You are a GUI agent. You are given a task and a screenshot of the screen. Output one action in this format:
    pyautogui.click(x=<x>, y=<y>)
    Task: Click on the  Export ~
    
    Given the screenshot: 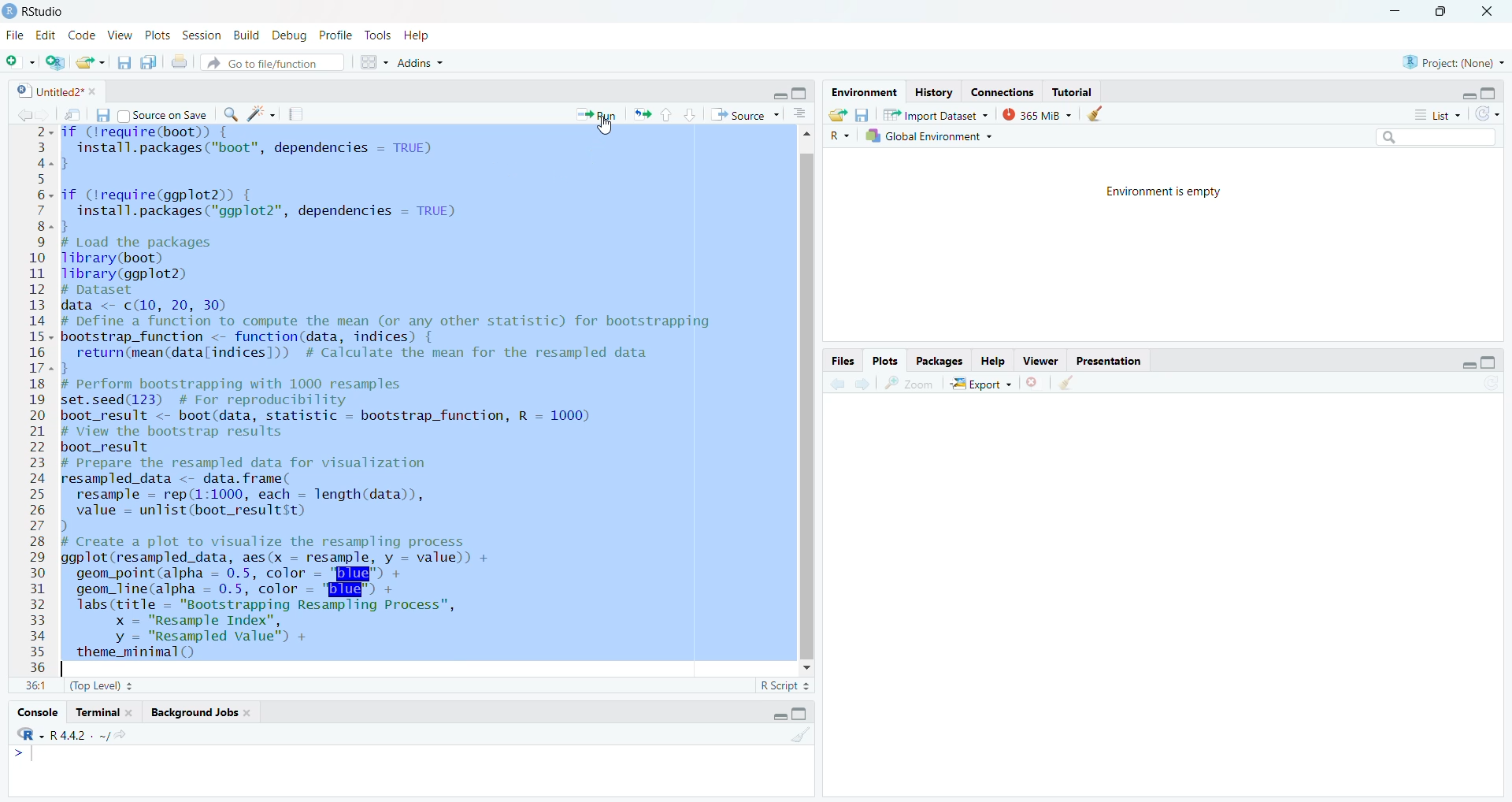 What is the action you would take?
    pyautogui.click(x=982, y=383)
    